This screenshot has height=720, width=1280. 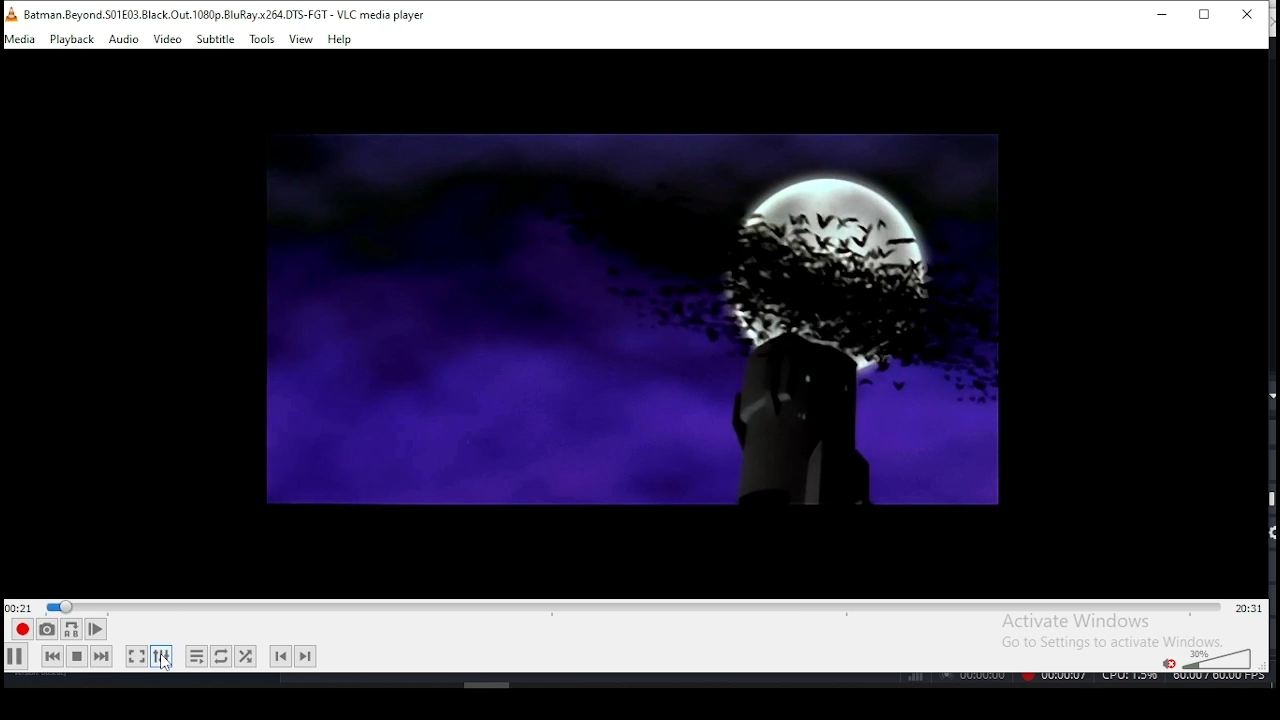 I want to click on take snapshot, so click(x=44, y=632).